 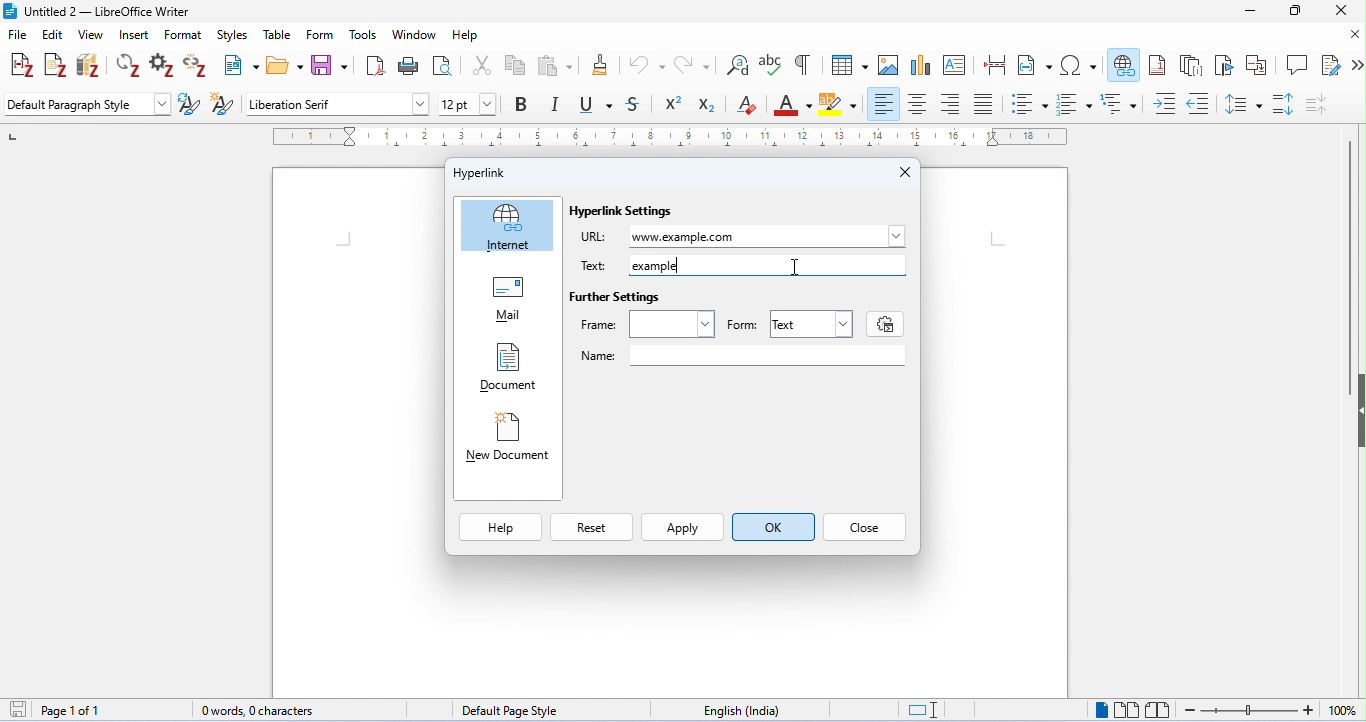 What do you see at coordinates (482, 64) in the screenshot?
I see `cut` at bounding box center [482, 64].